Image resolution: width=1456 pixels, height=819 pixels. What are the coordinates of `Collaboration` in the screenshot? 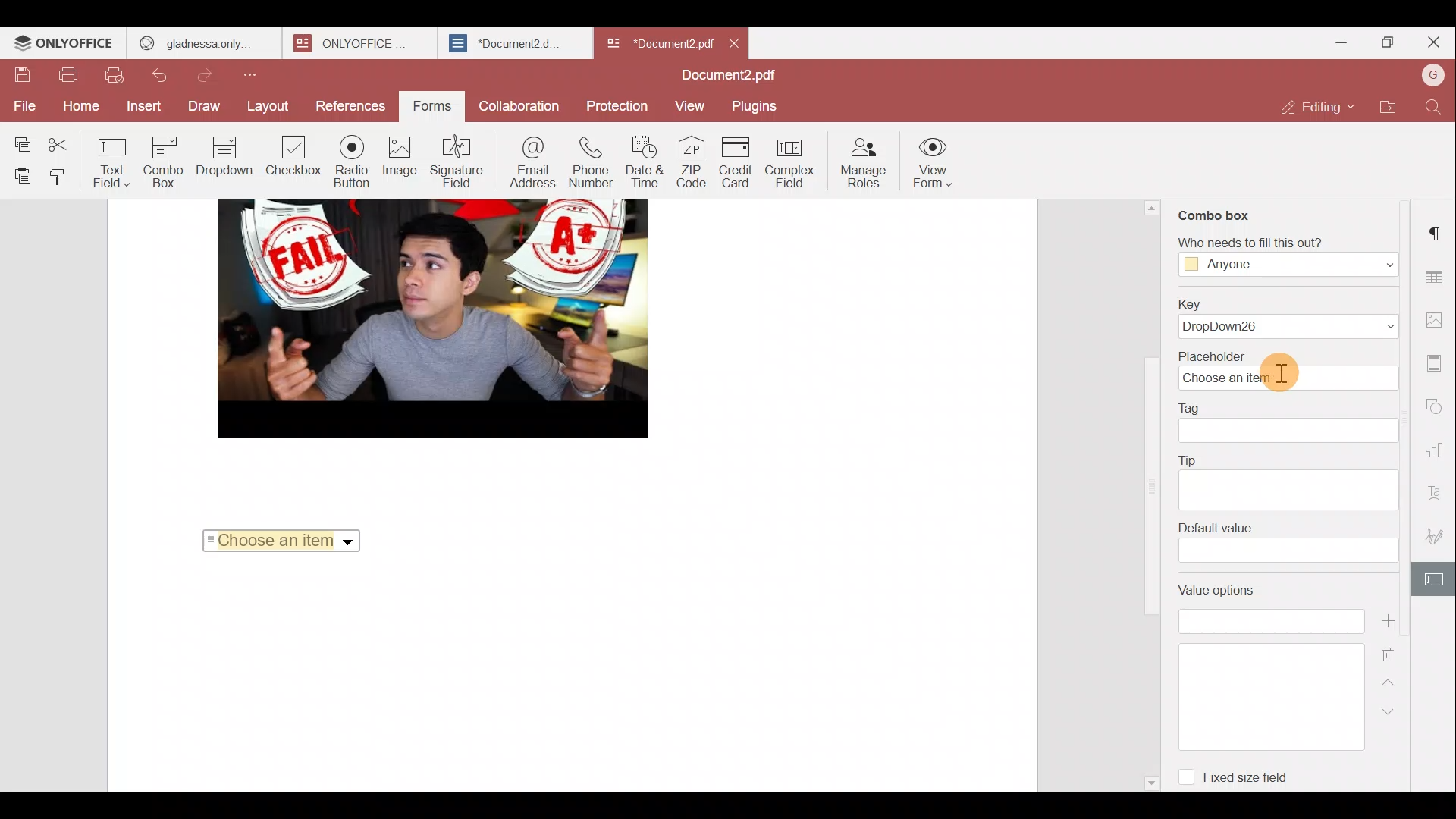 It's located at (518, 105).